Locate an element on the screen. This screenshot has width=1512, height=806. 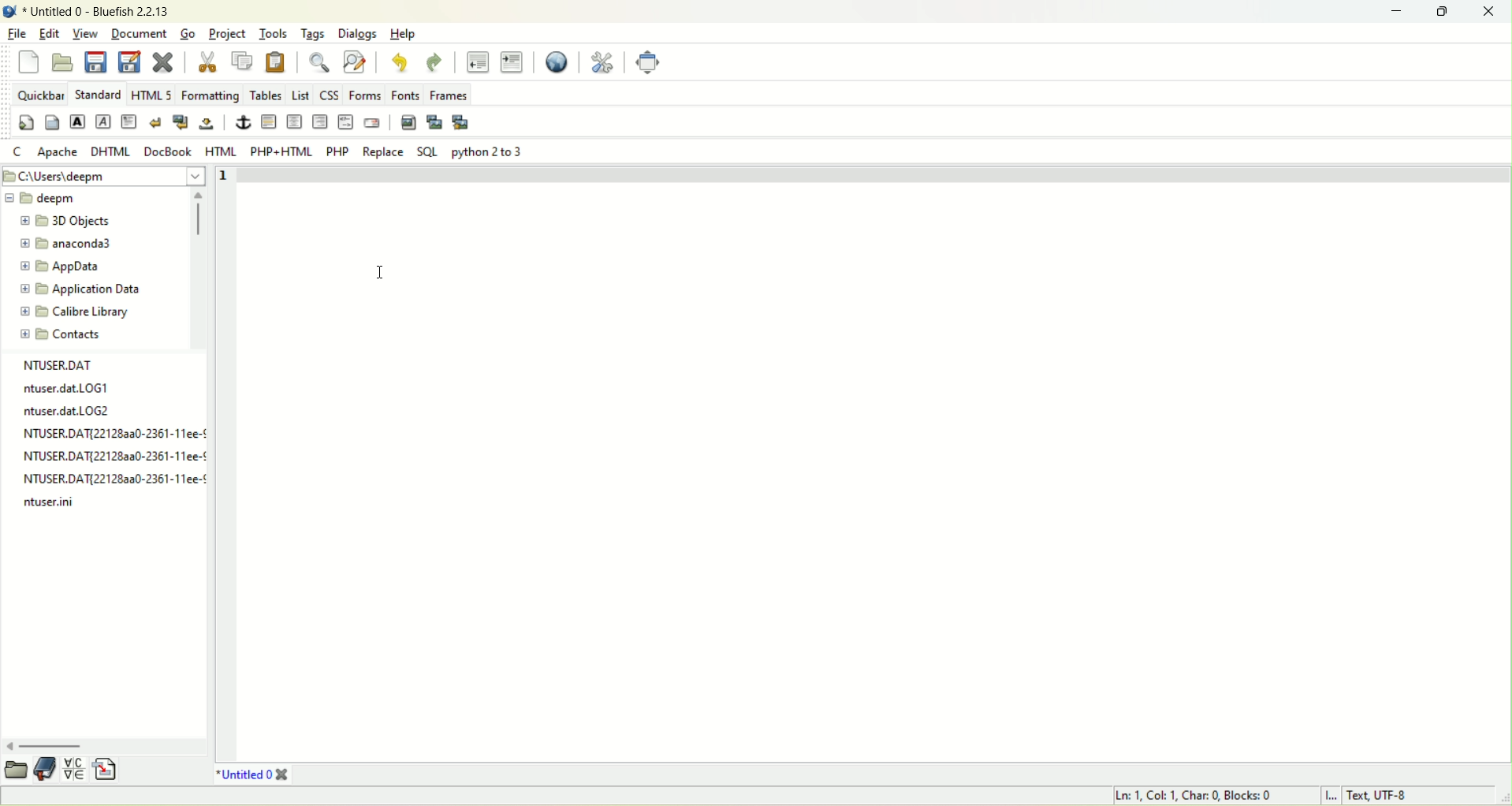
horizontal rule is located at coordinates (270, 121).